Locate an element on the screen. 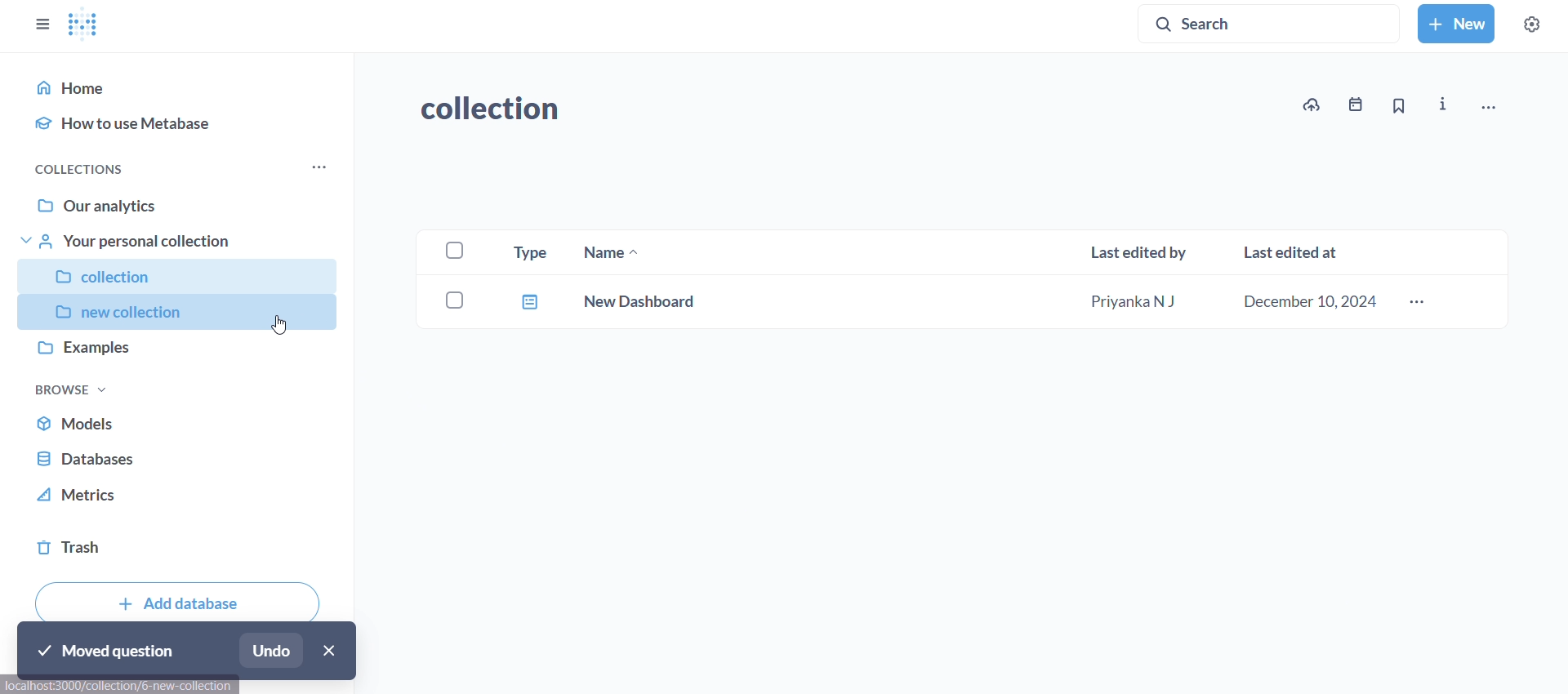  name is located at coordinates (605, 253).